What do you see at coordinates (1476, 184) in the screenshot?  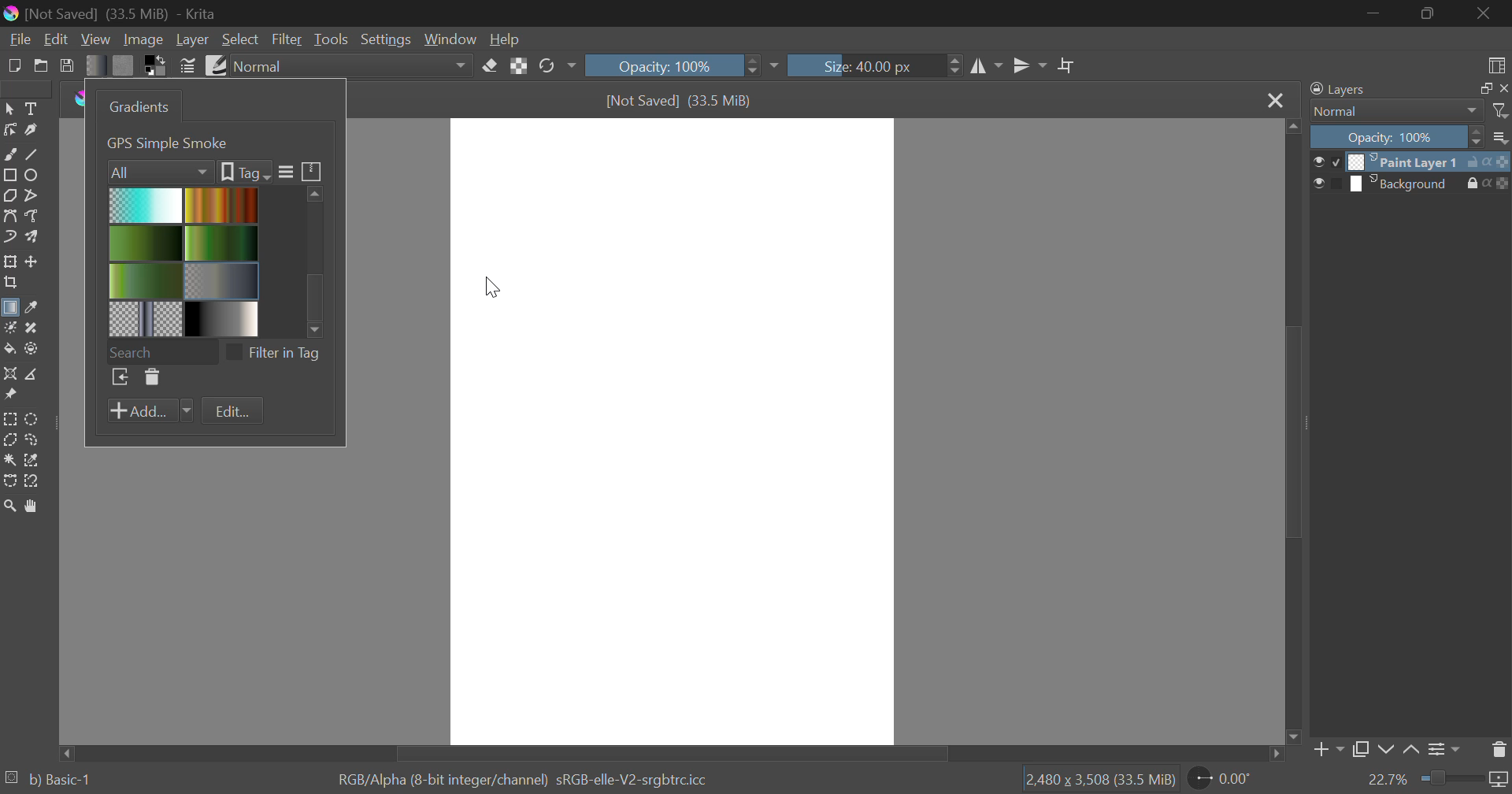 I see `lock` at bounding box center [1476, 184].